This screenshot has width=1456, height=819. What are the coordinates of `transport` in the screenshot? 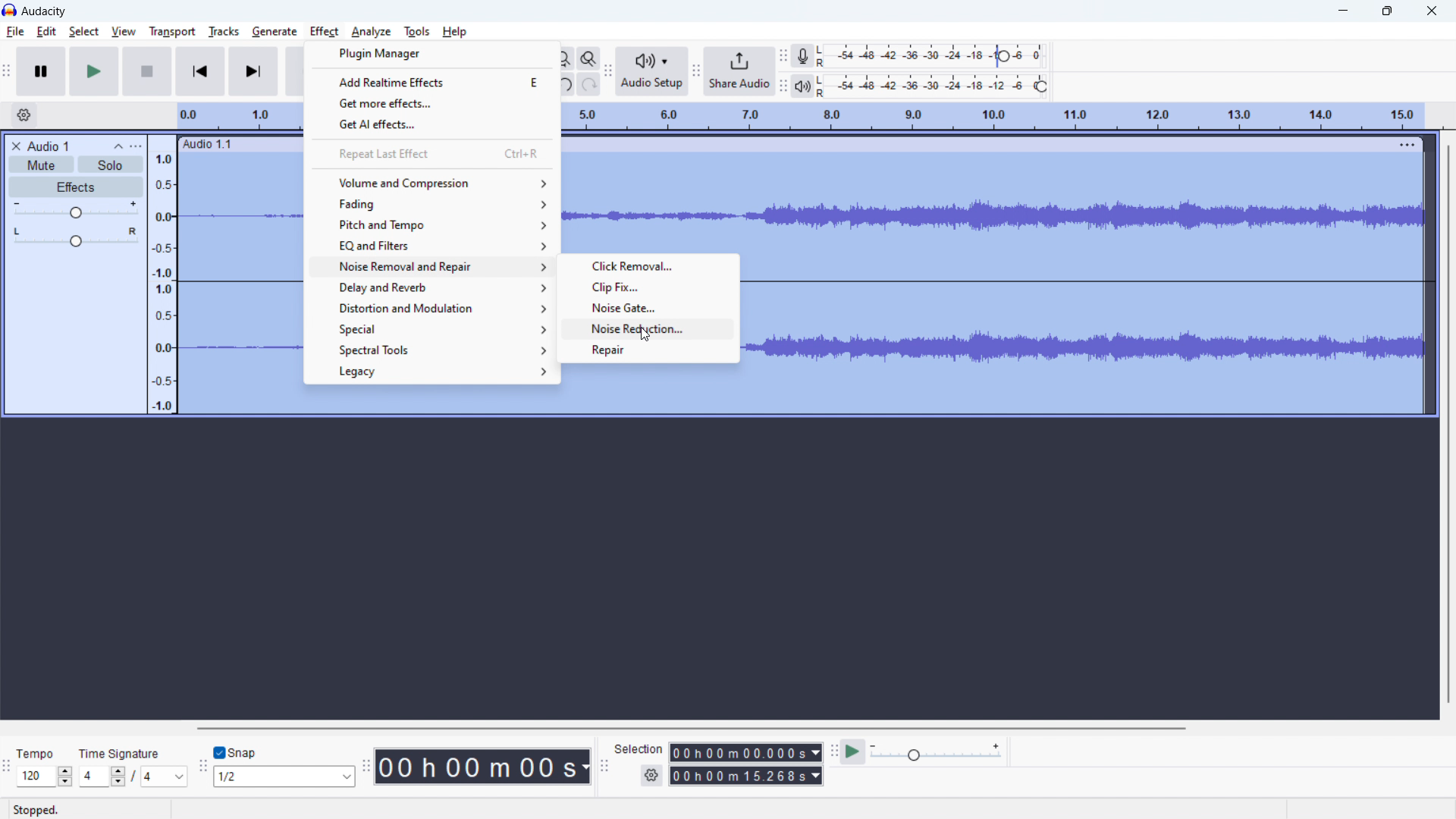 It's located at (172, 33).